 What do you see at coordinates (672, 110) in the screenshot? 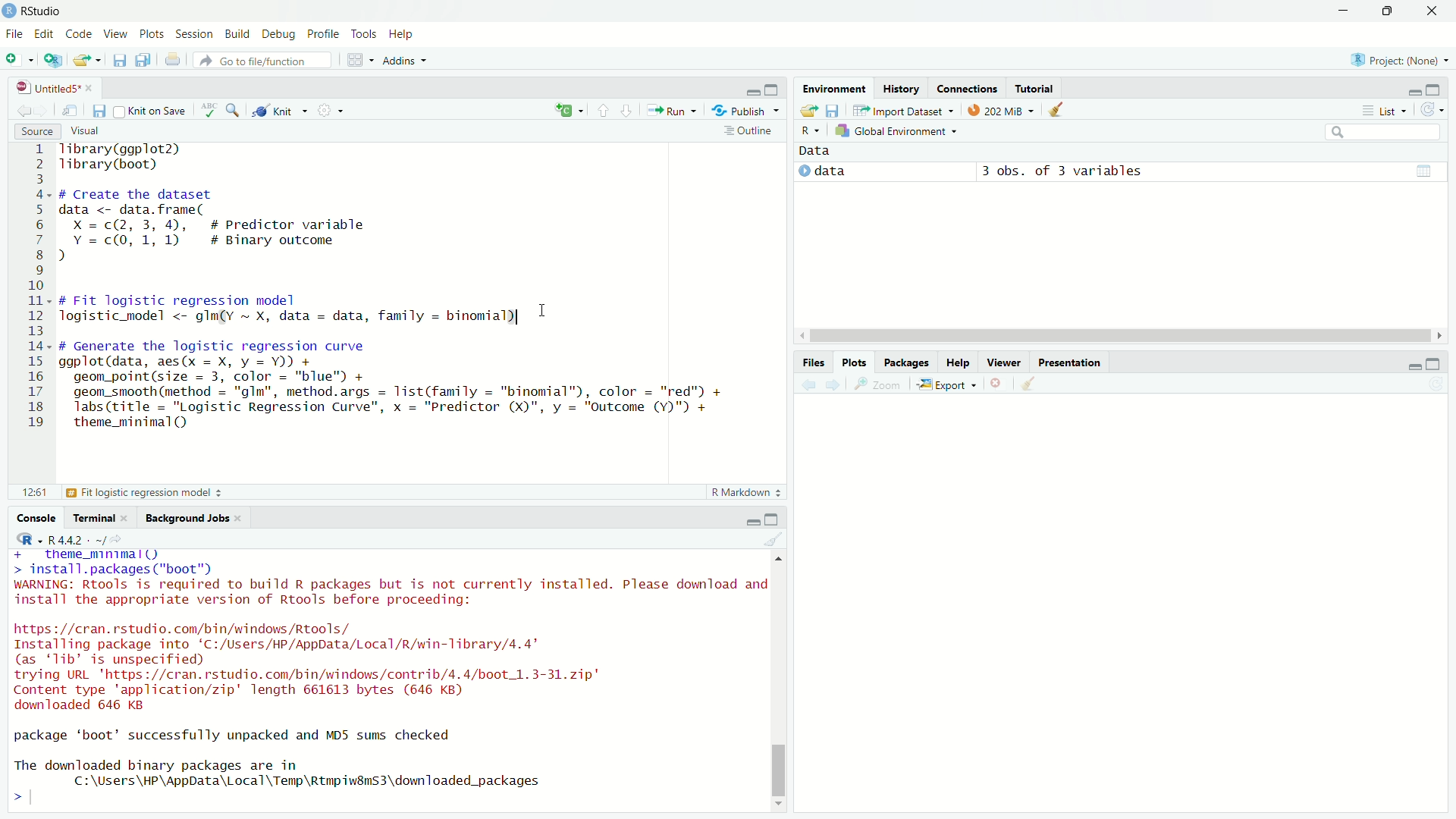
I see `Run` at bounding box center [672, 110].